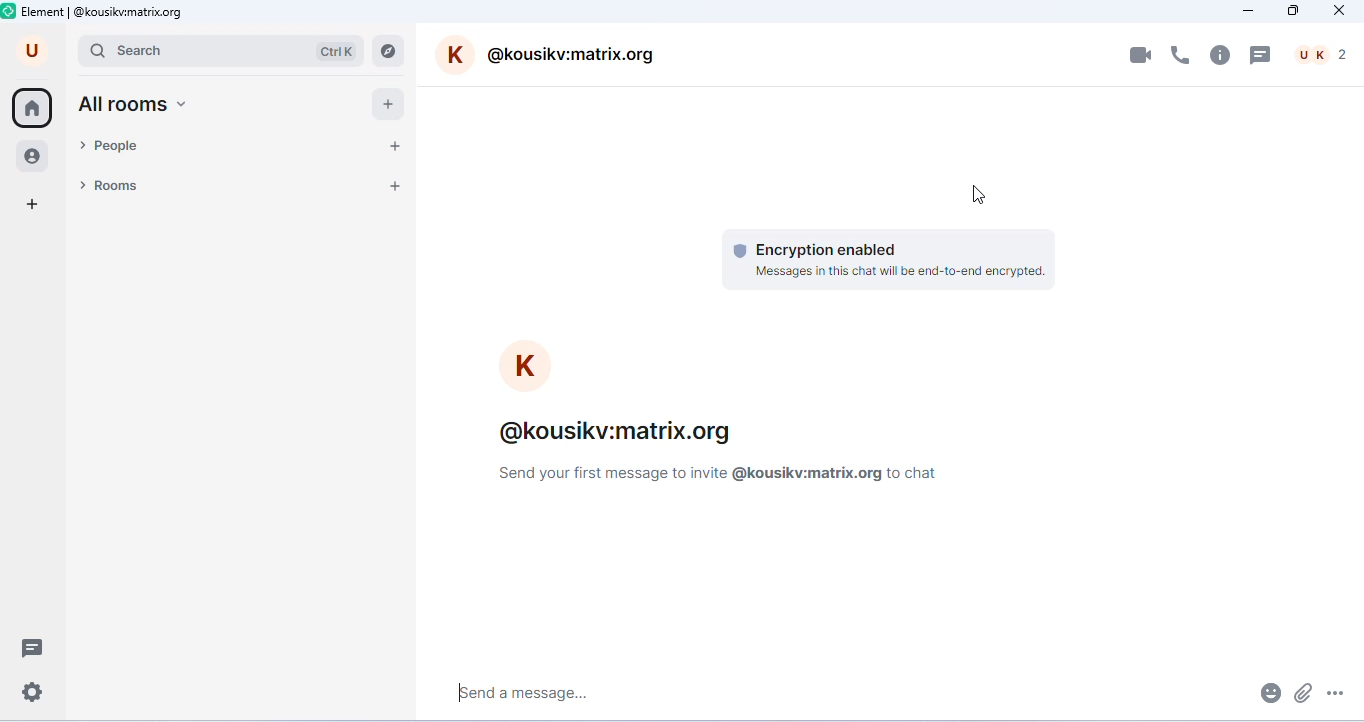  I want to click on encryption enabled , so click(818, 249).